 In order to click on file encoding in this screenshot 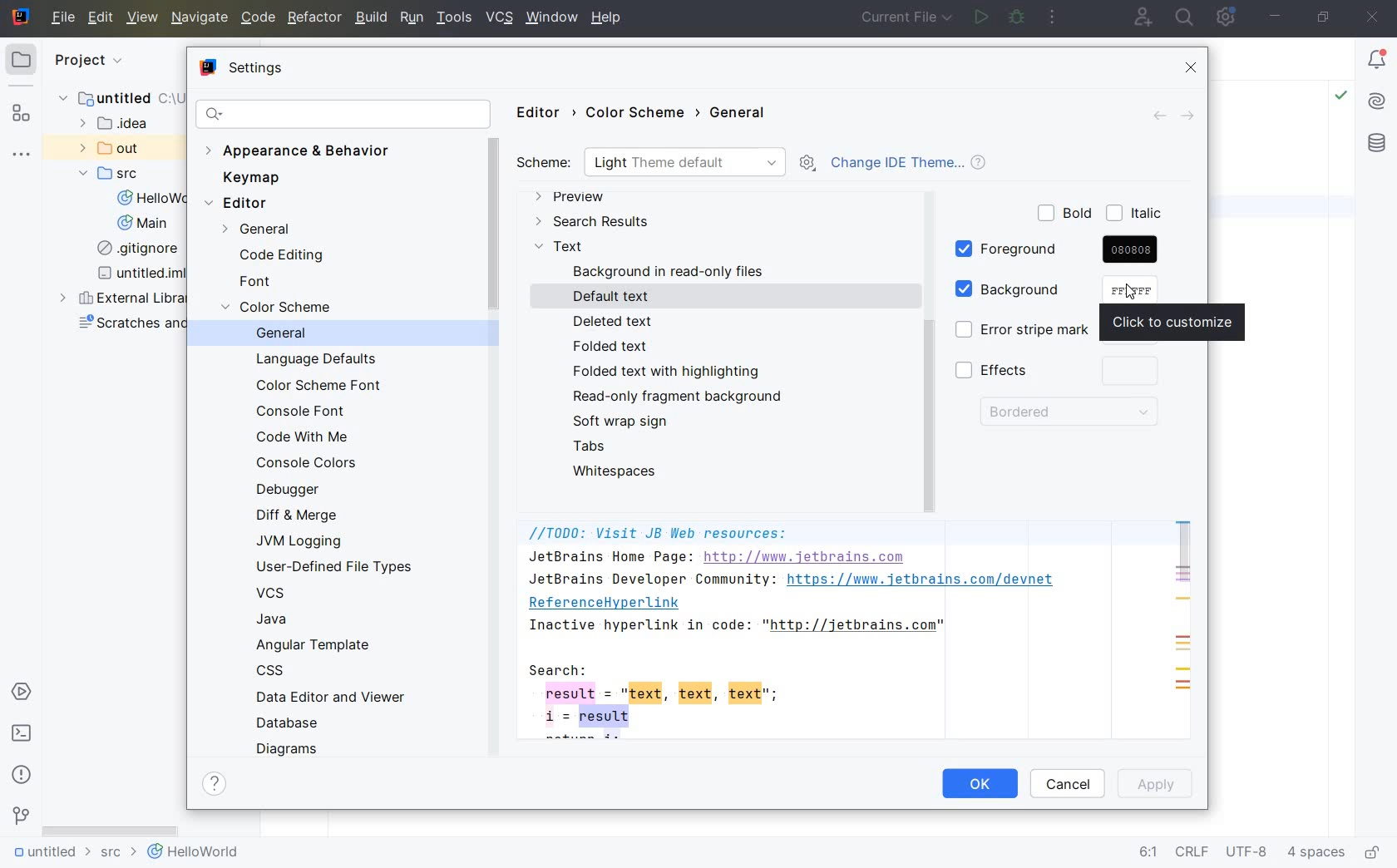, I will do `click(1248, 853)`.